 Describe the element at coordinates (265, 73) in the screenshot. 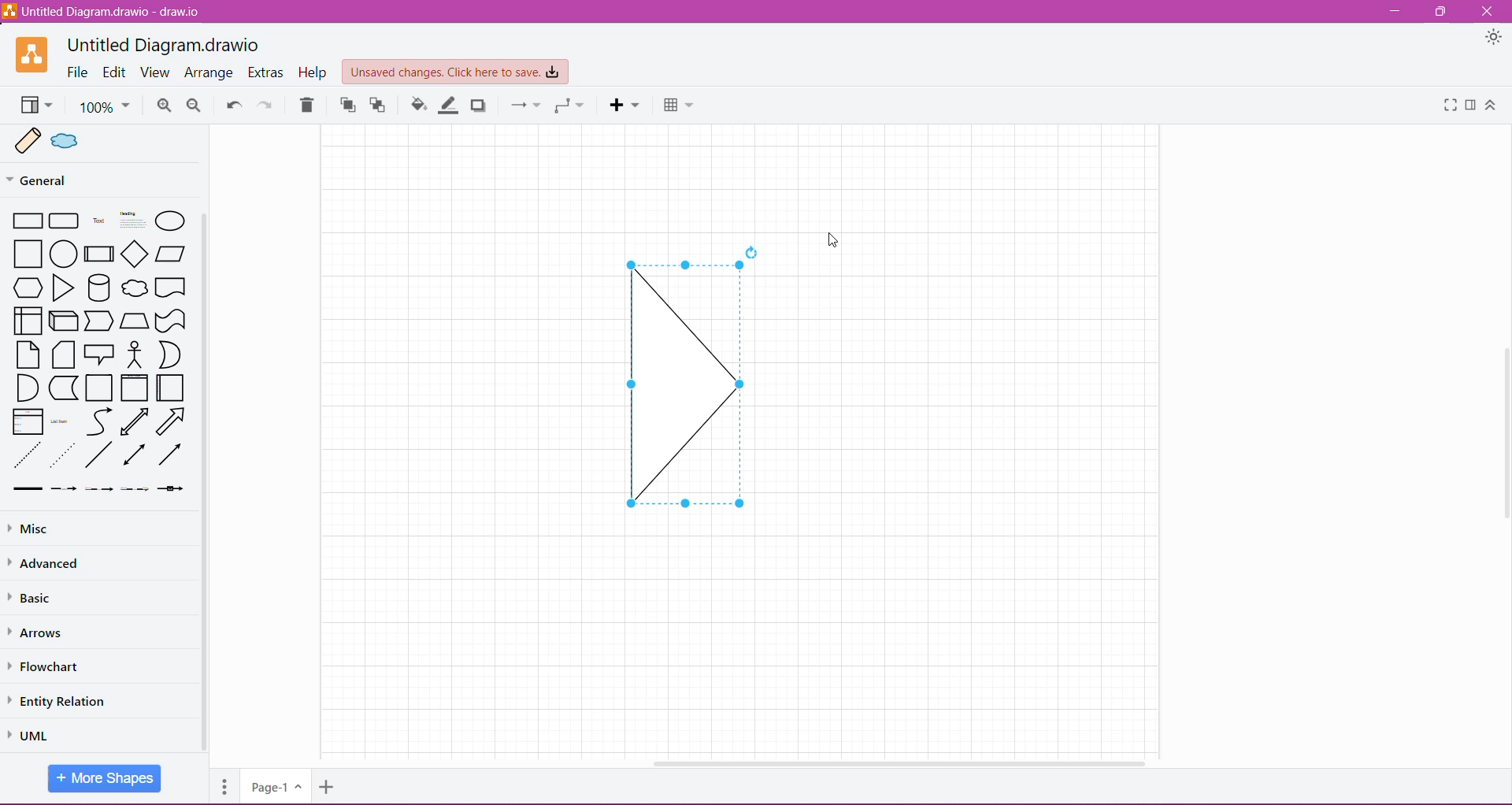

I see `Extras` at that location.